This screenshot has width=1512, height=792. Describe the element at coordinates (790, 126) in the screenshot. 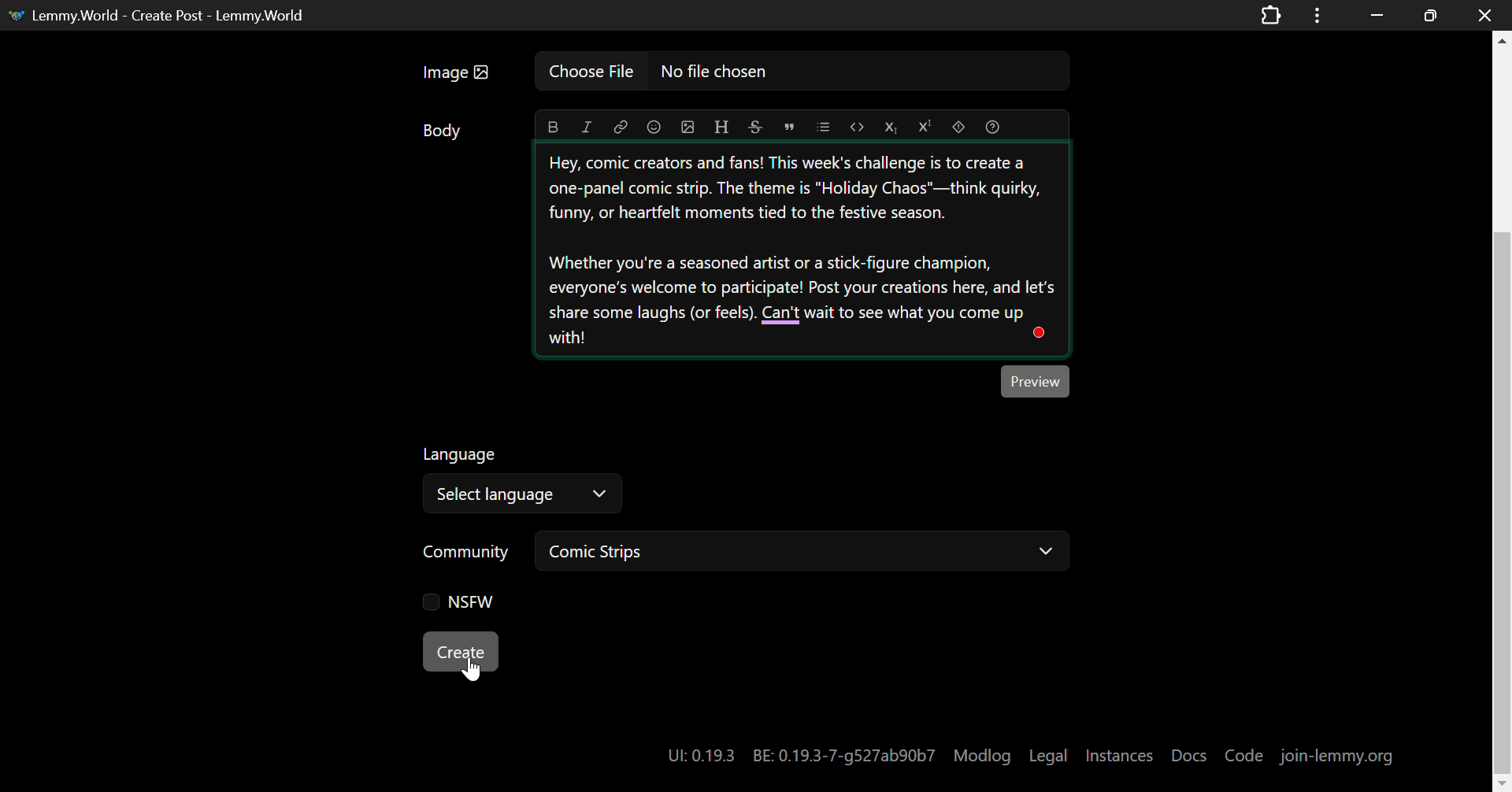

I see `quote` at that location.